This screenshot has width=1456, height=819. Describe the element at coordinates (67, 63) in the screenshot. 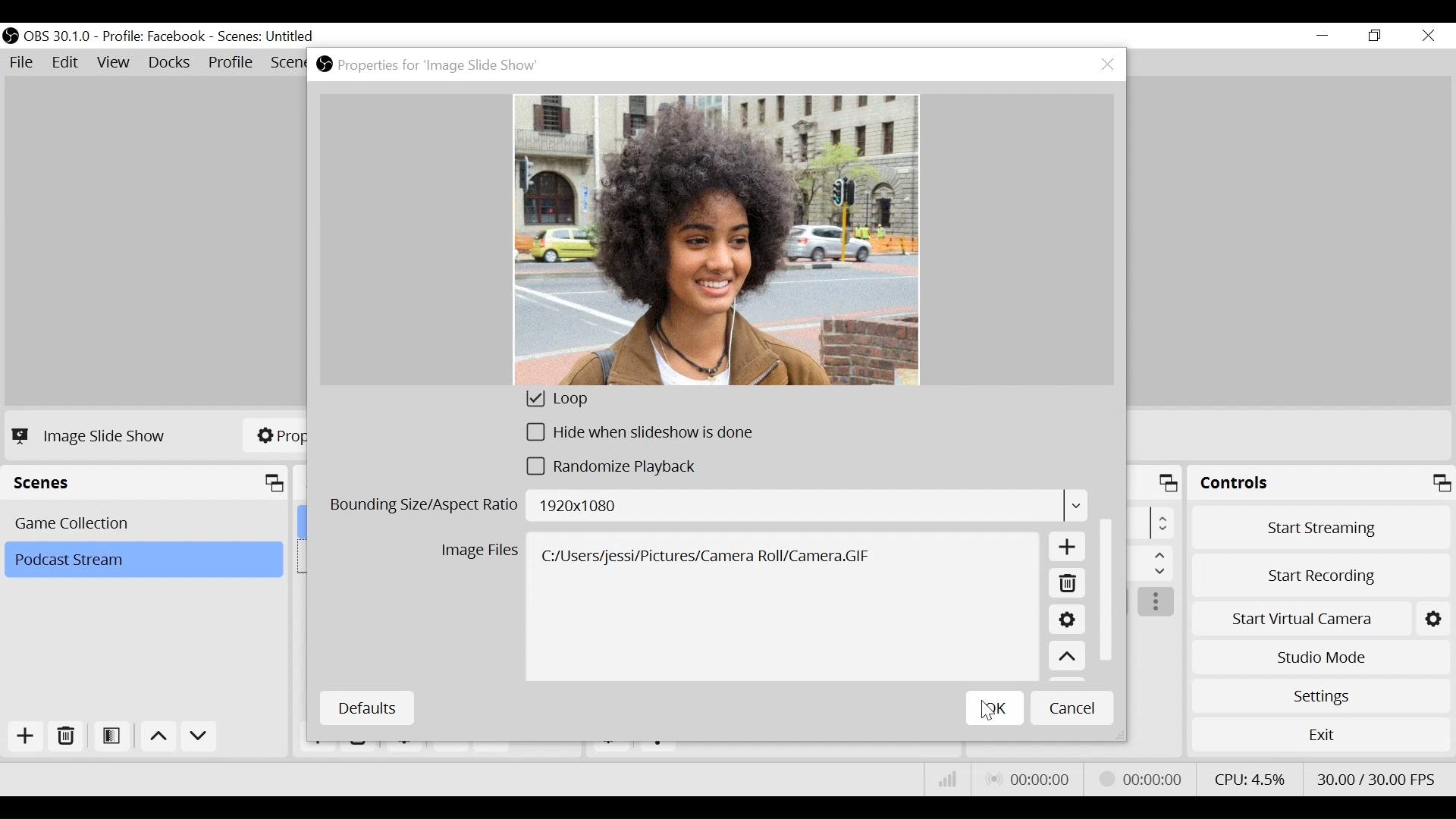

I see `Edit` at that location.